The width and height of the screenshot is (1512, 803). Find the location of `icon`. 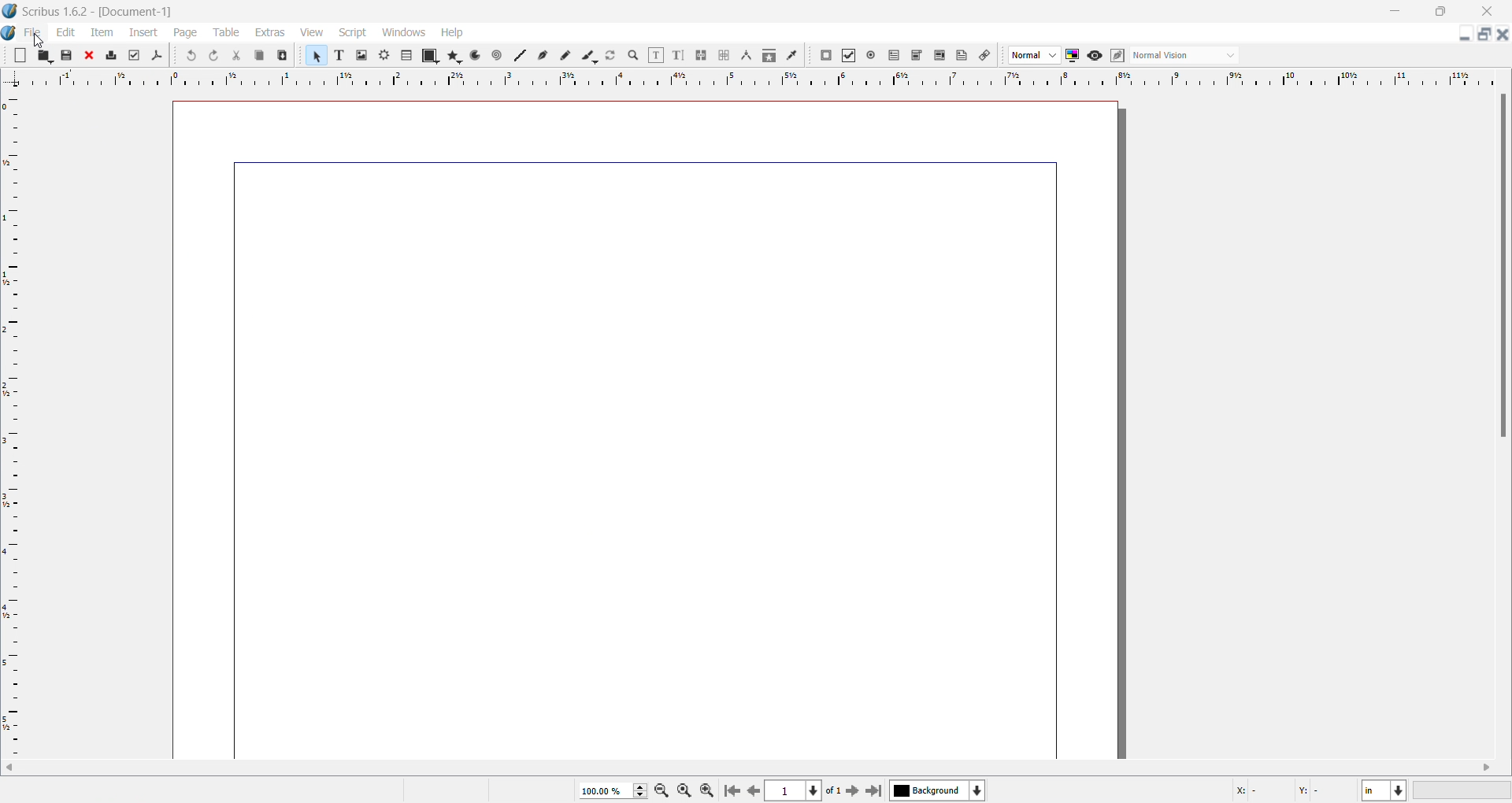

icon is located at coordinates (869, 54).